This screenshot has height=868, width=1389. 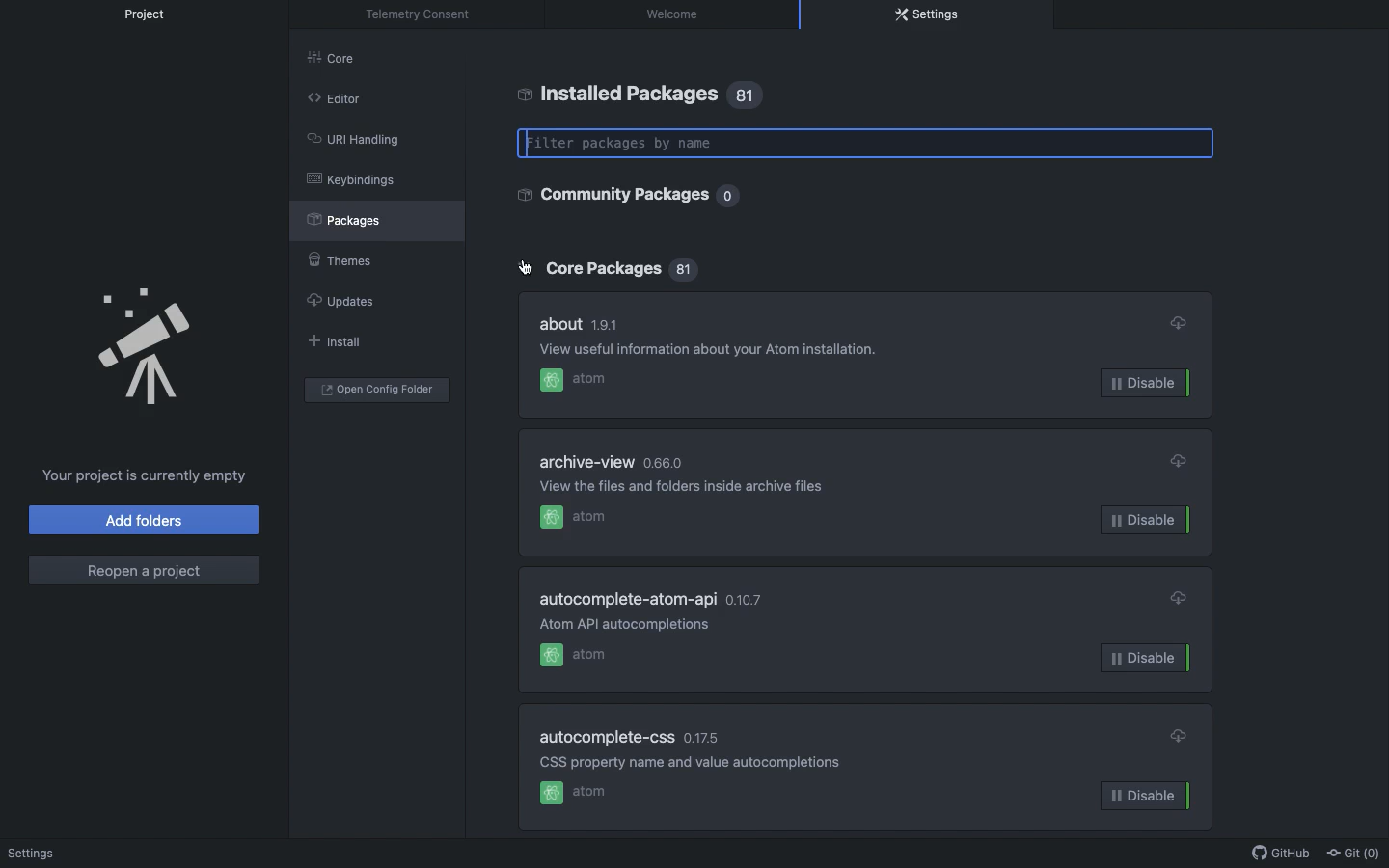 I want to click on Emblem, so click(x=148, y=348).